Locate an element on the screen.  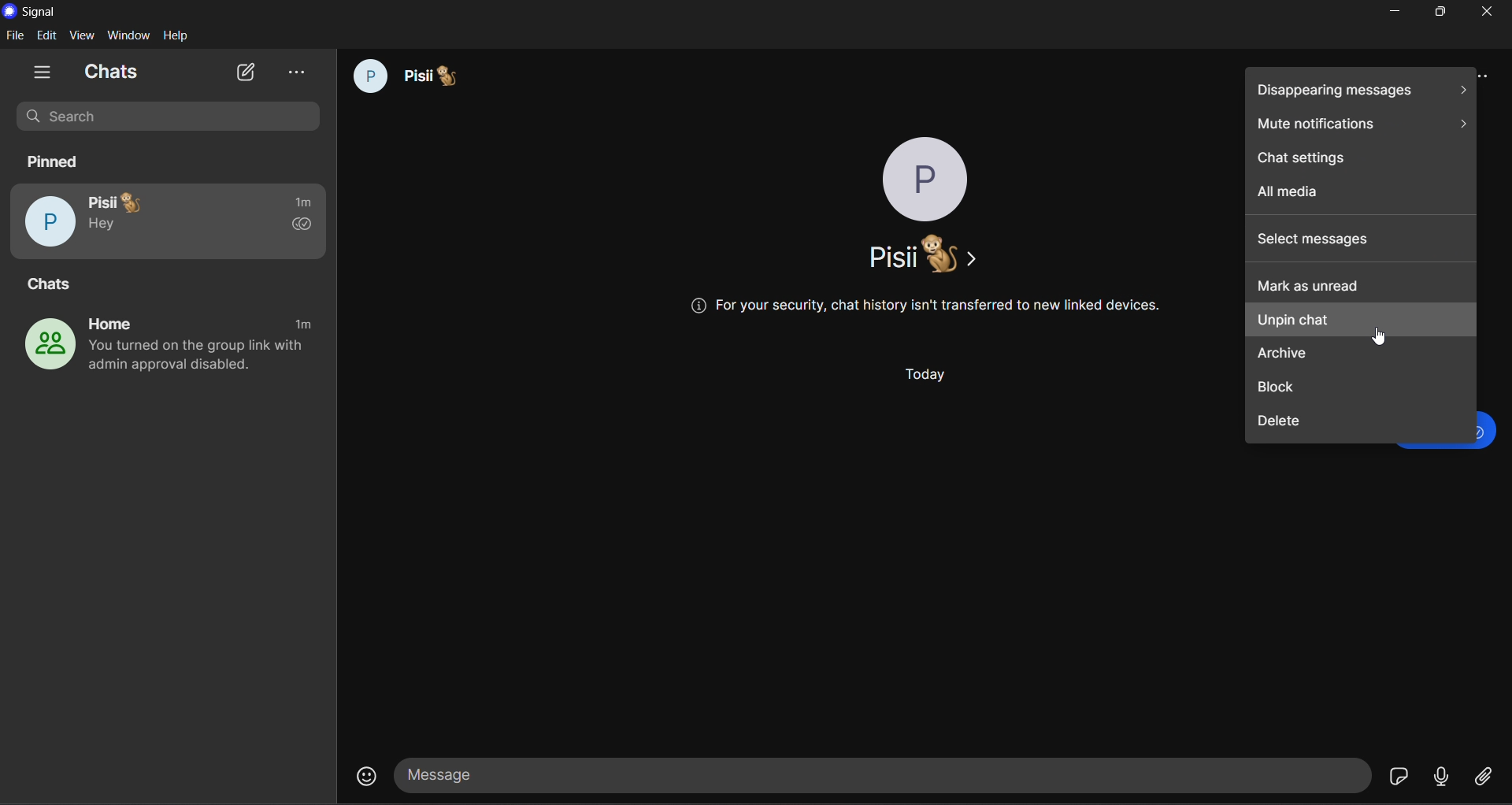
search is located at coordinates (176, 118).